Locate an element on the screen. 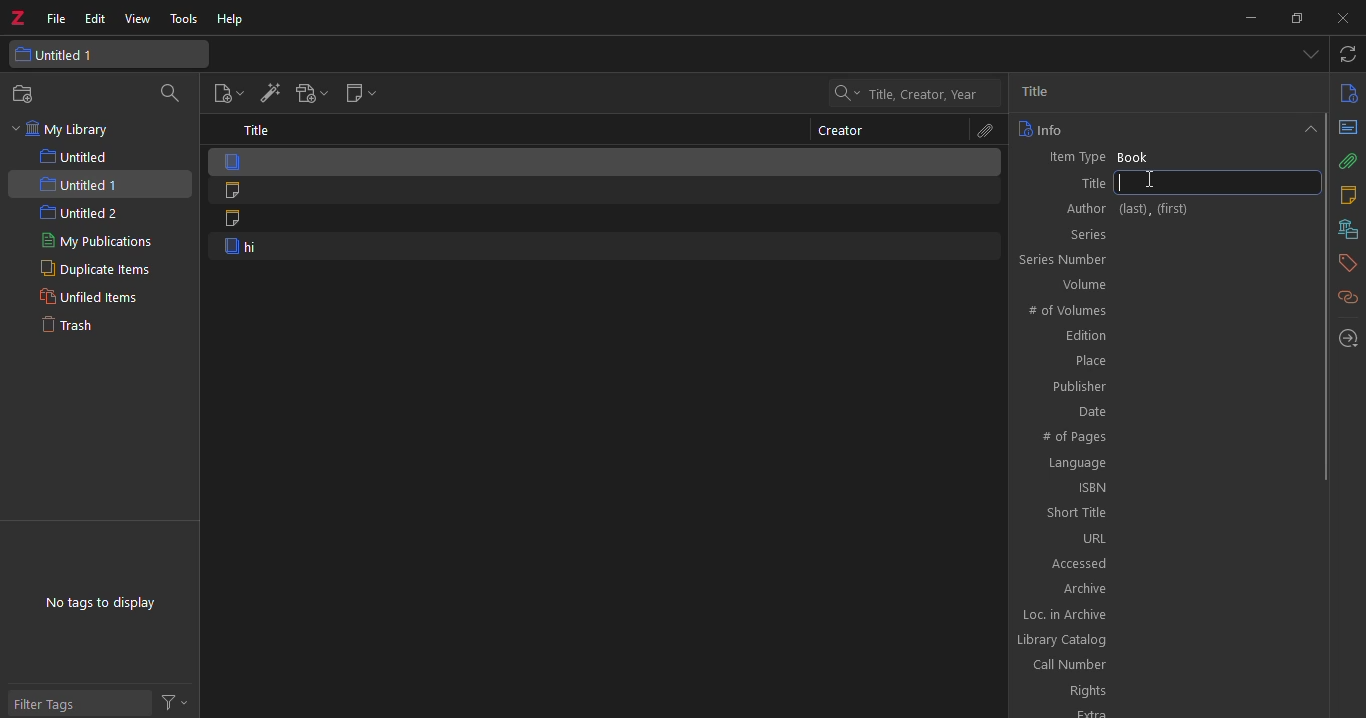  add item is located at coordinates (268, 95).